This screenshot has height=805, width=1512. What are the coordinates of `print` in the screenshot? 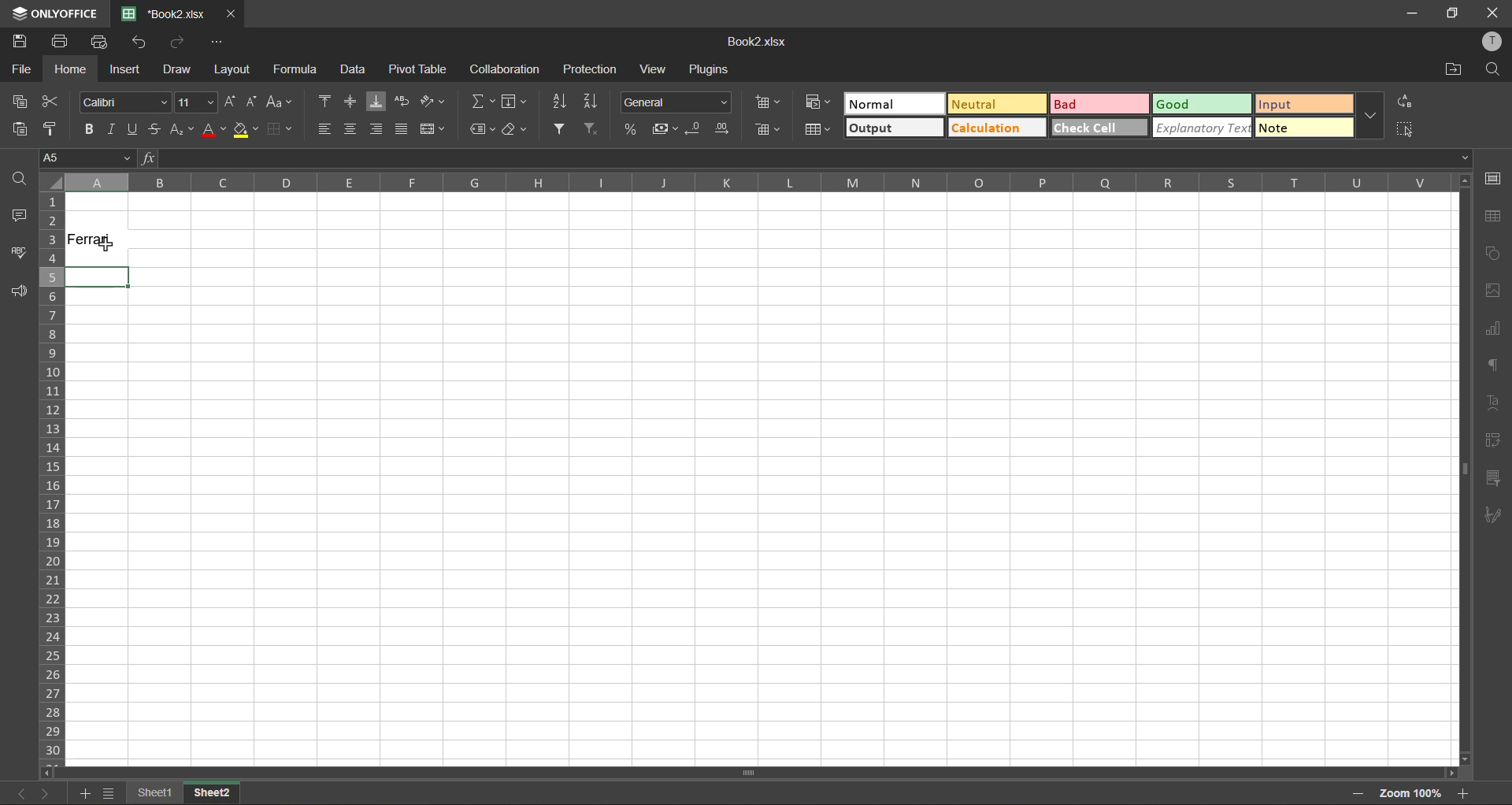 It's located at (64, 42).